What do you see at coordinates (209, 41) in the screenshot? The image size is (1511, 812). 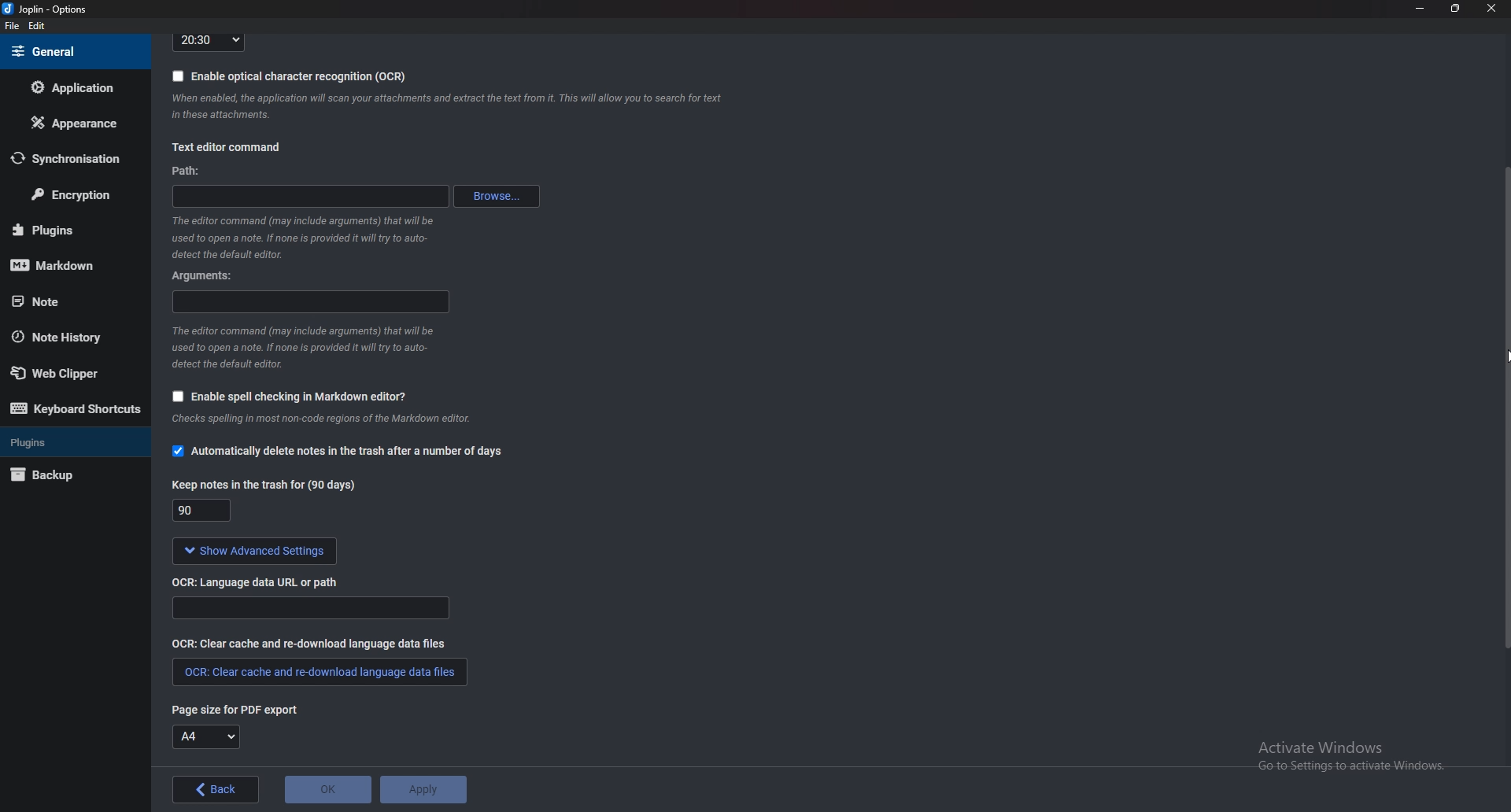 I see `Time format` at bounding box center [209, 41].